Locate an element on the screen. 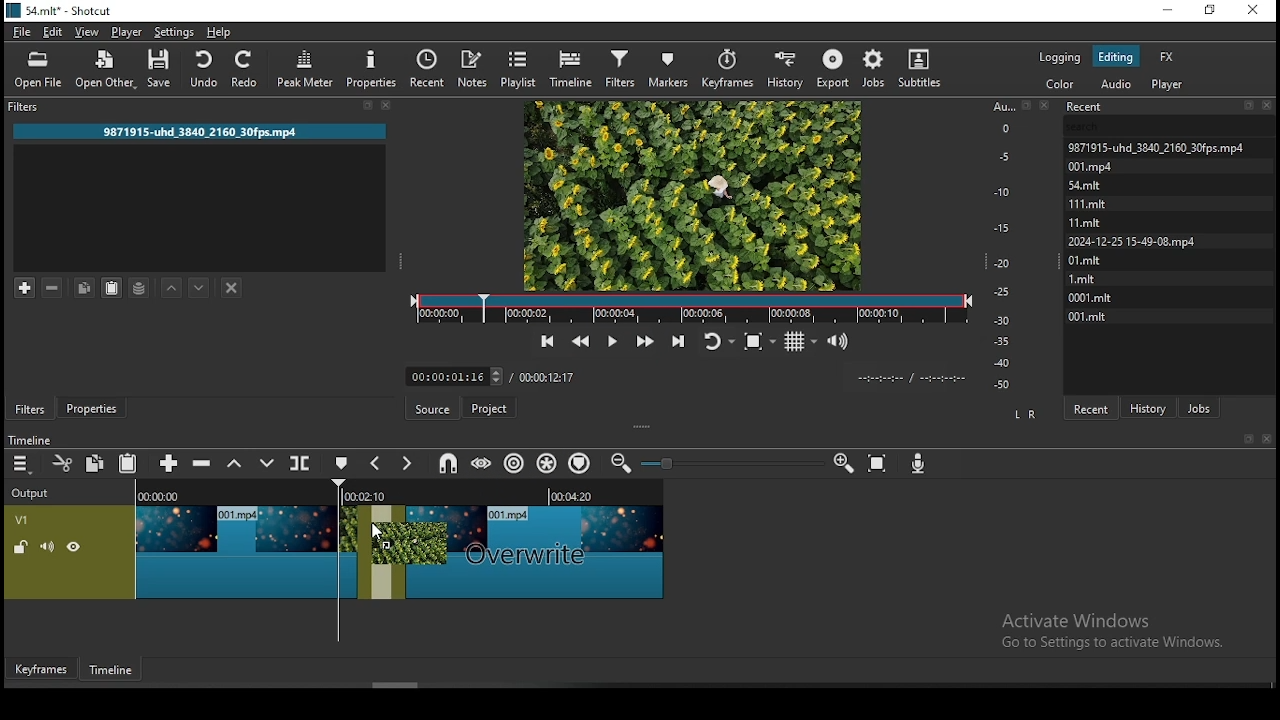 This screenshot has width=1280, height=720. copy is located at coordinates (84, 288).